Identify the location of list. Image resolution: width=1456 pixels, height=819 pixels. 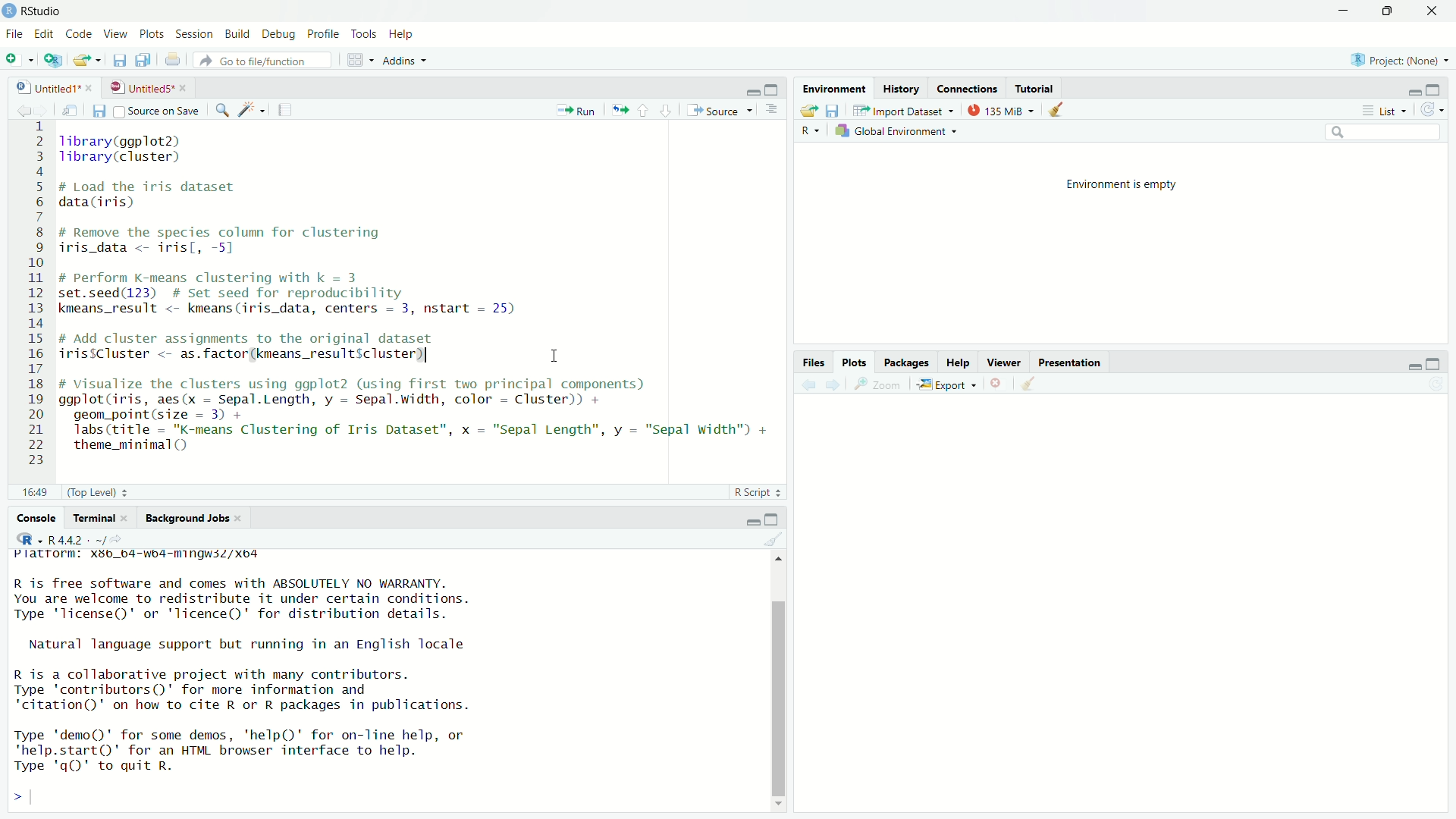
(1382, 111).